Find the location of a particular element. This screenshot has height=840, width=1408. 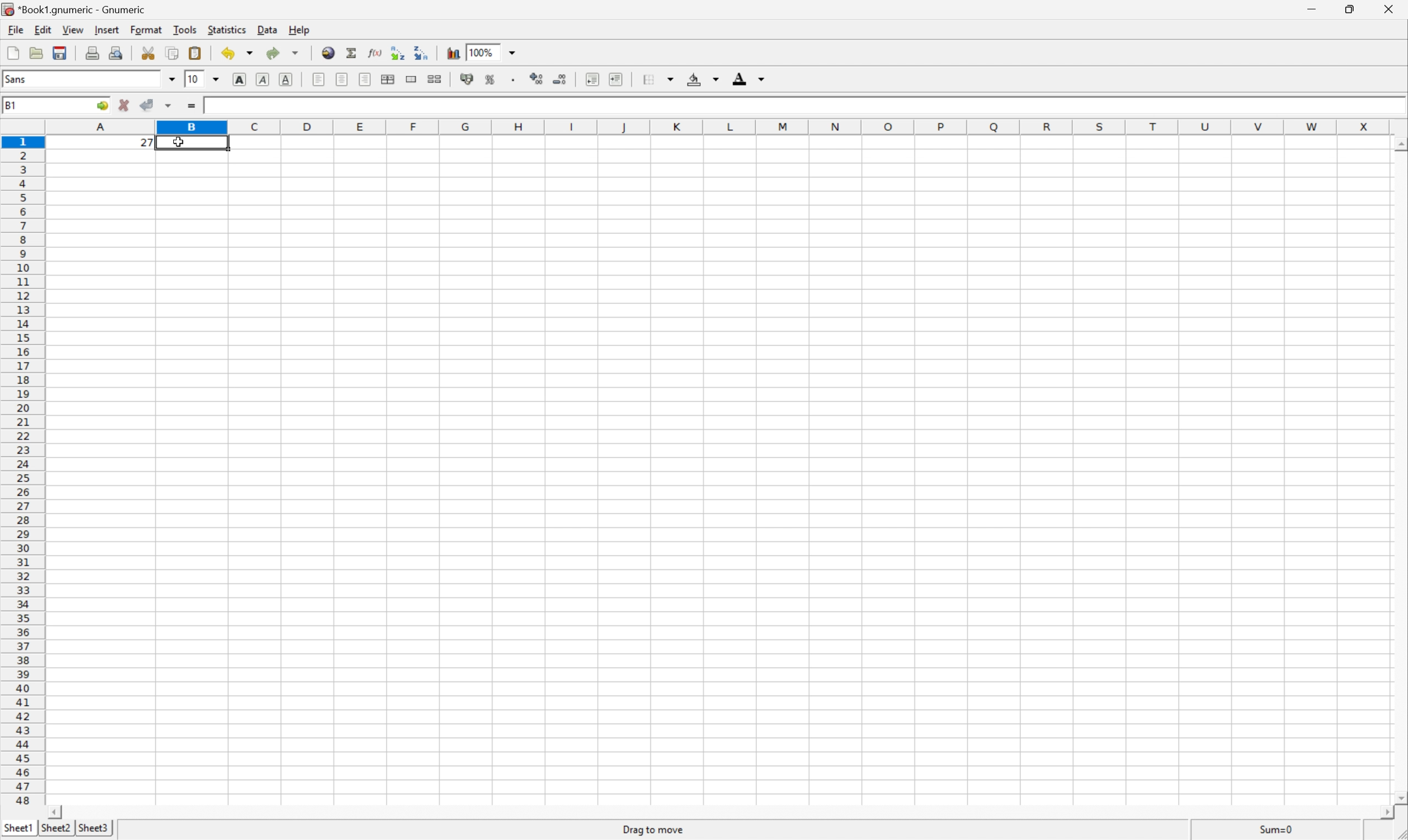

Go to is located at coordinates (100, 105).